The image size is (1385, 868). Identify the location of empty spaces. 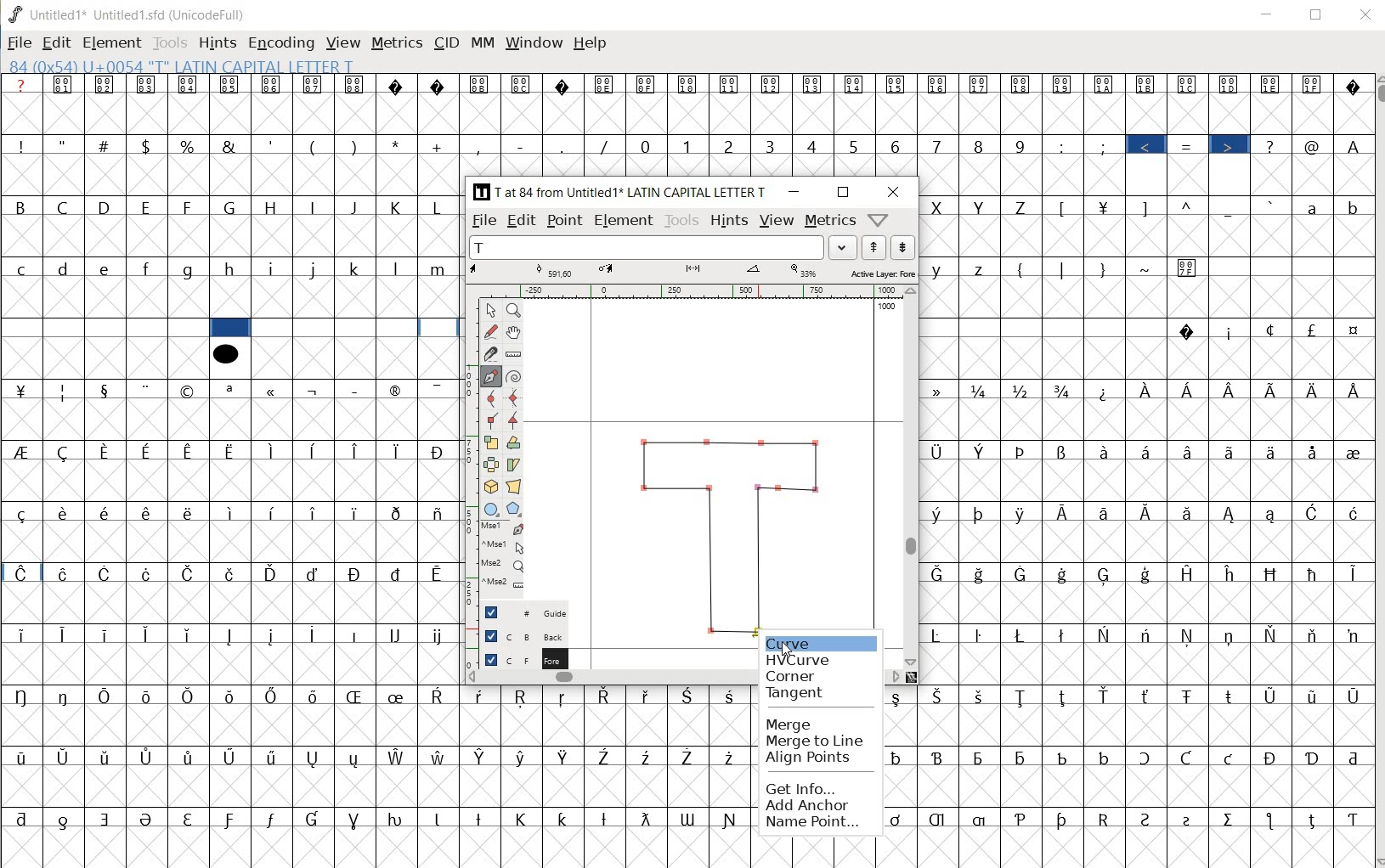
(1046, 330).